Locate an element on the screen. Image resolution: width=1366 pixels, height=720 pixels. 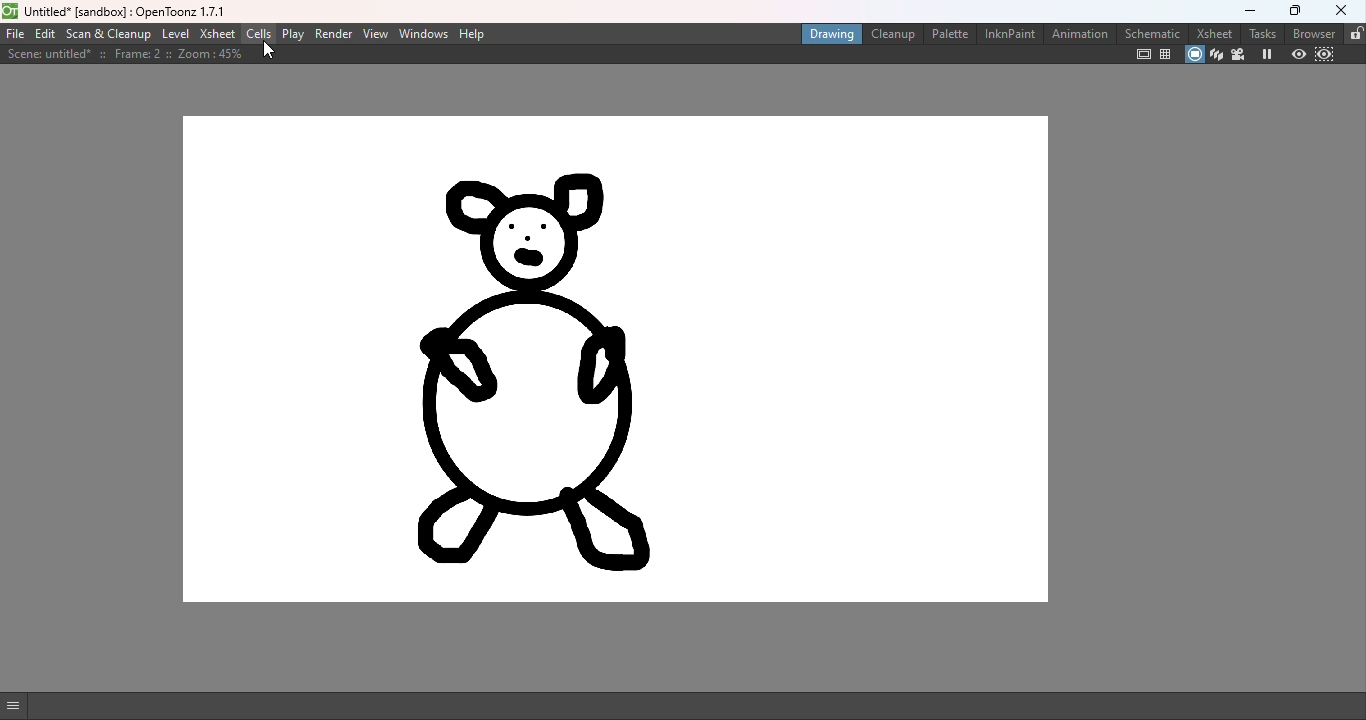
Help is located at coordinates (475, 34).